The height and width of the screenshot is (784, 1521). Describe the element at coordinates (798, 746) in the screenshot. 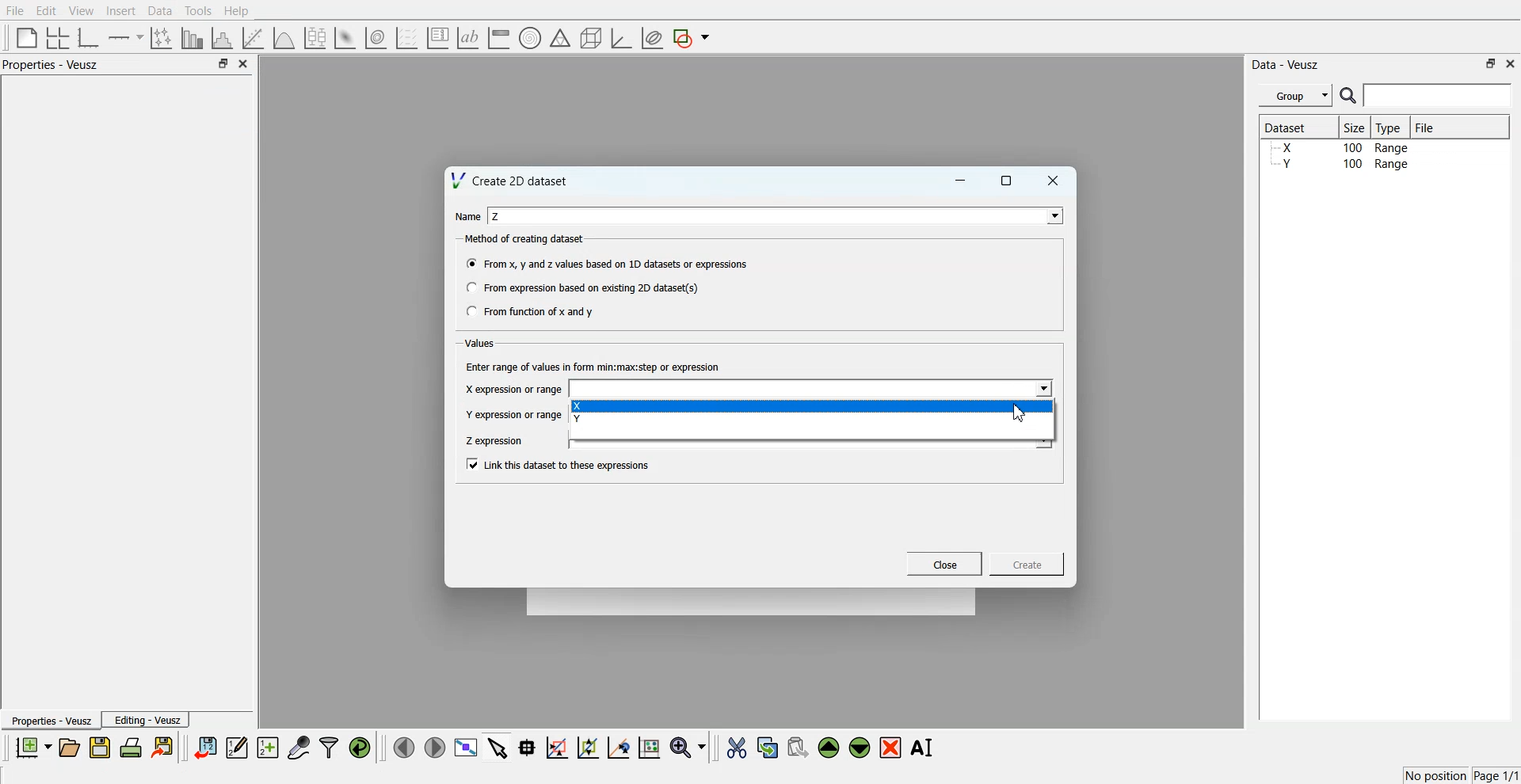

I see `Paste widget from the clipboard` at that location.